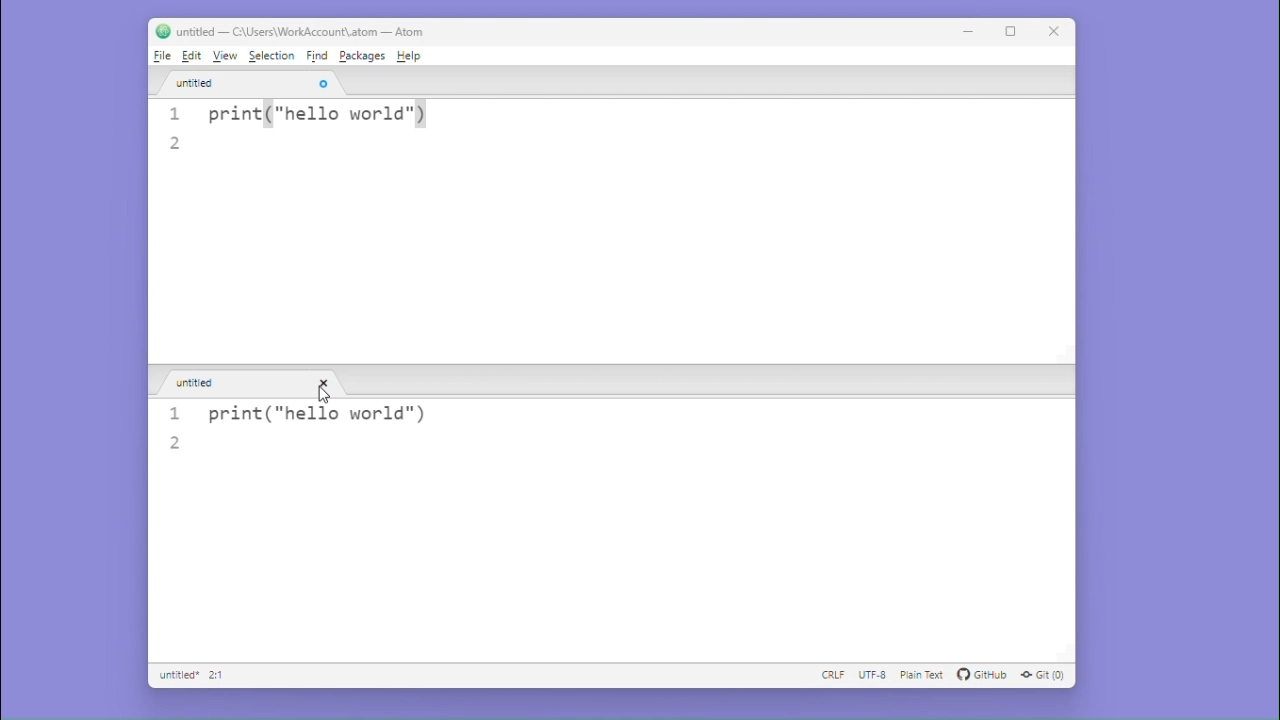 This screenshot has width=1280, height=720. What do you see at coordinates (316, 58) in the screenshot?
I see `Find` at bounding box center [316, 58].